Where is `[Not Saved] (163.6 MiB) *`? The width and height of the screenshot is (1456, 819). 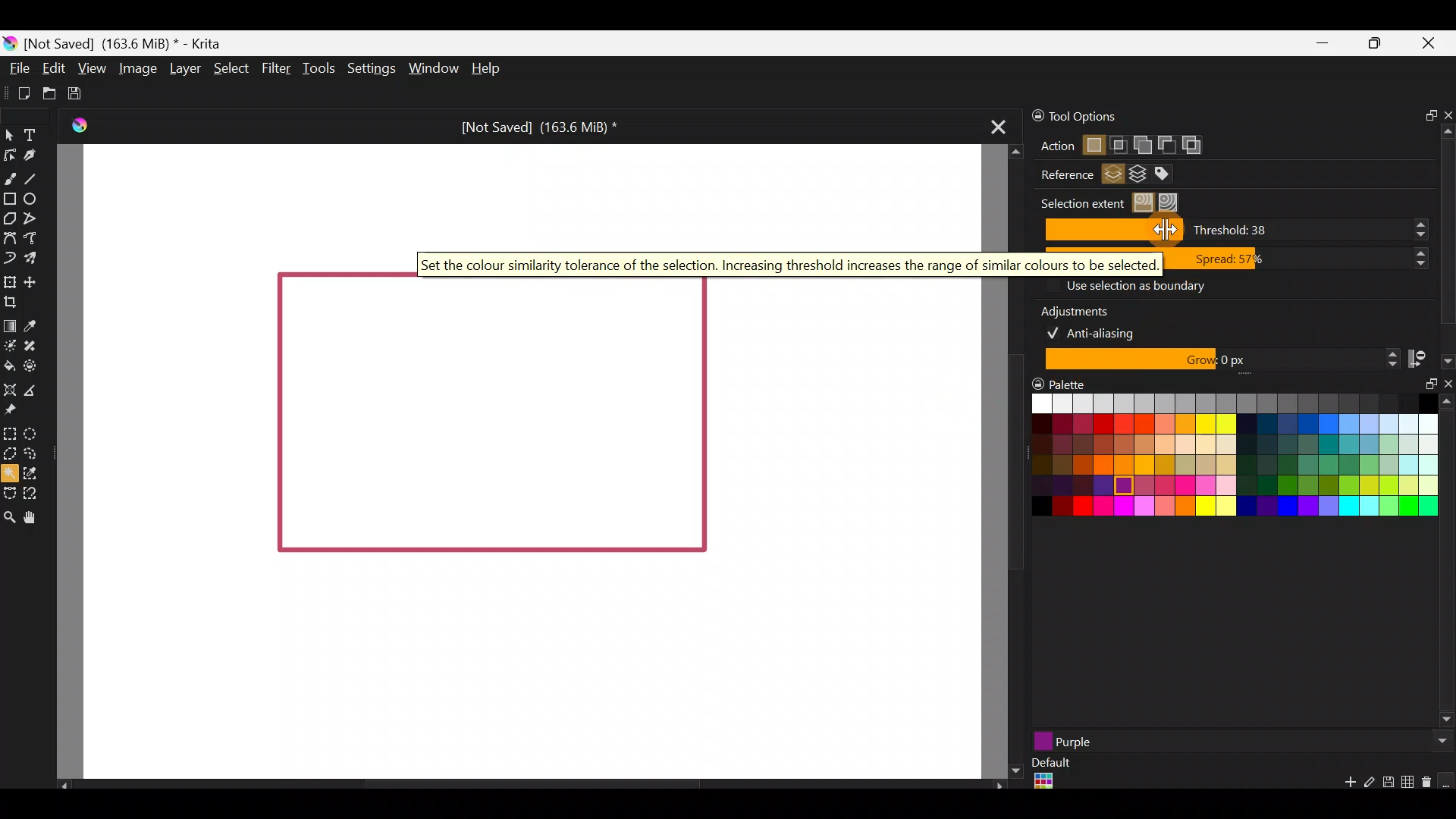 [Not Saved] (163.6 MiB) * is located at coordinates (537, 124).